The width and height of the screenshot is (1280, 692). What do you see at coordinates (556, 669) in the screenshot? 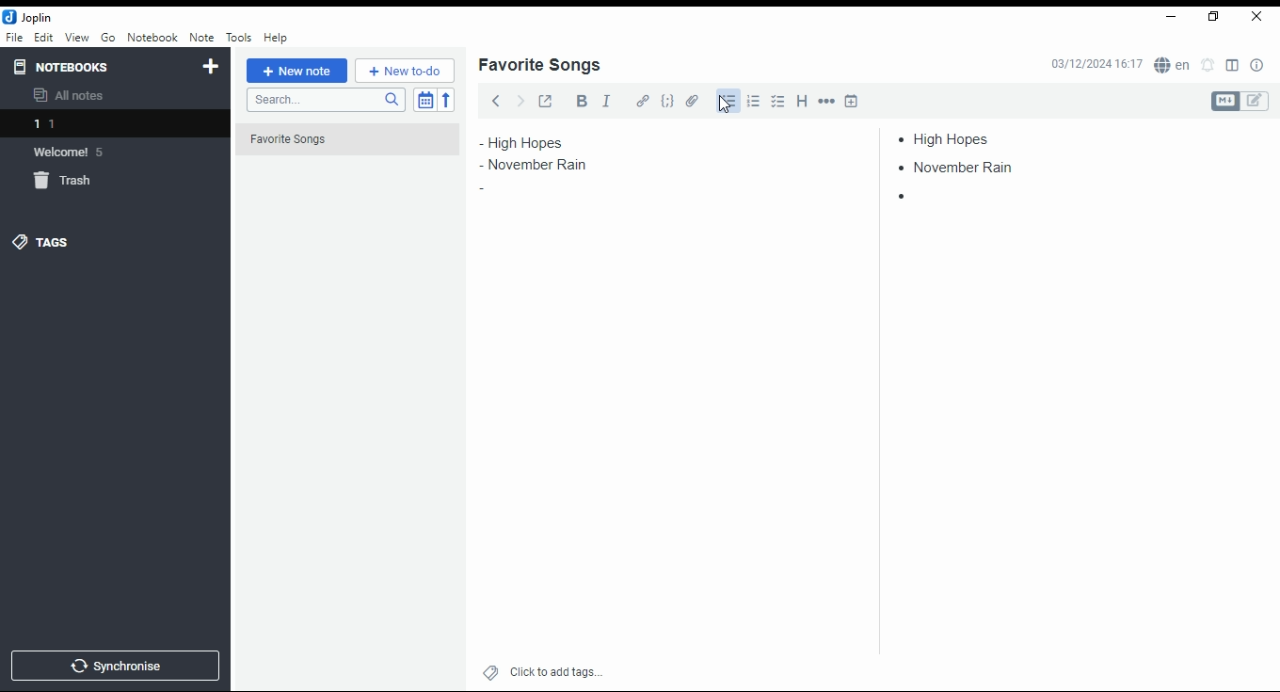
I see `click to add tags` at bounding box center [556, 669].